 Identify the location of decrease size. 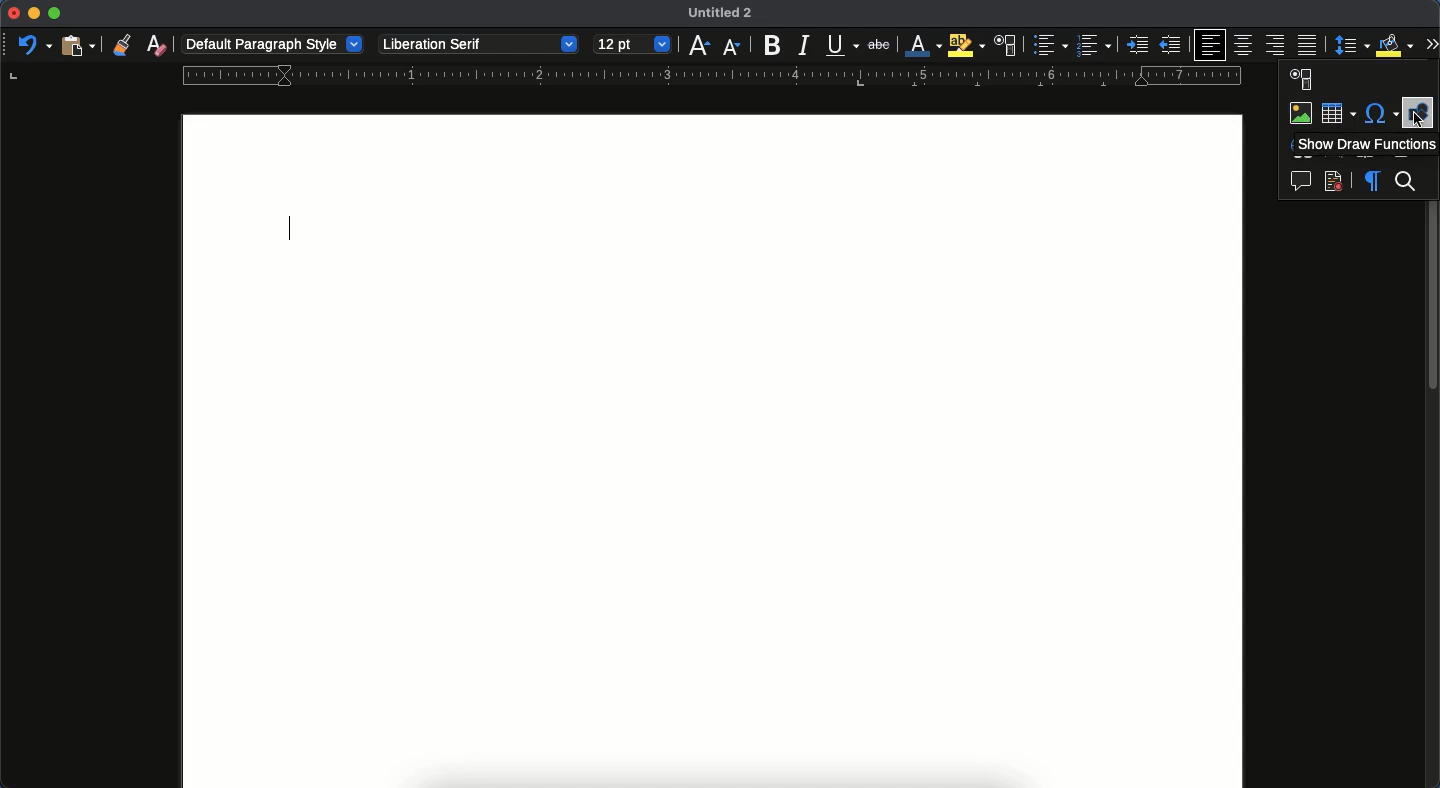
(698, 44).